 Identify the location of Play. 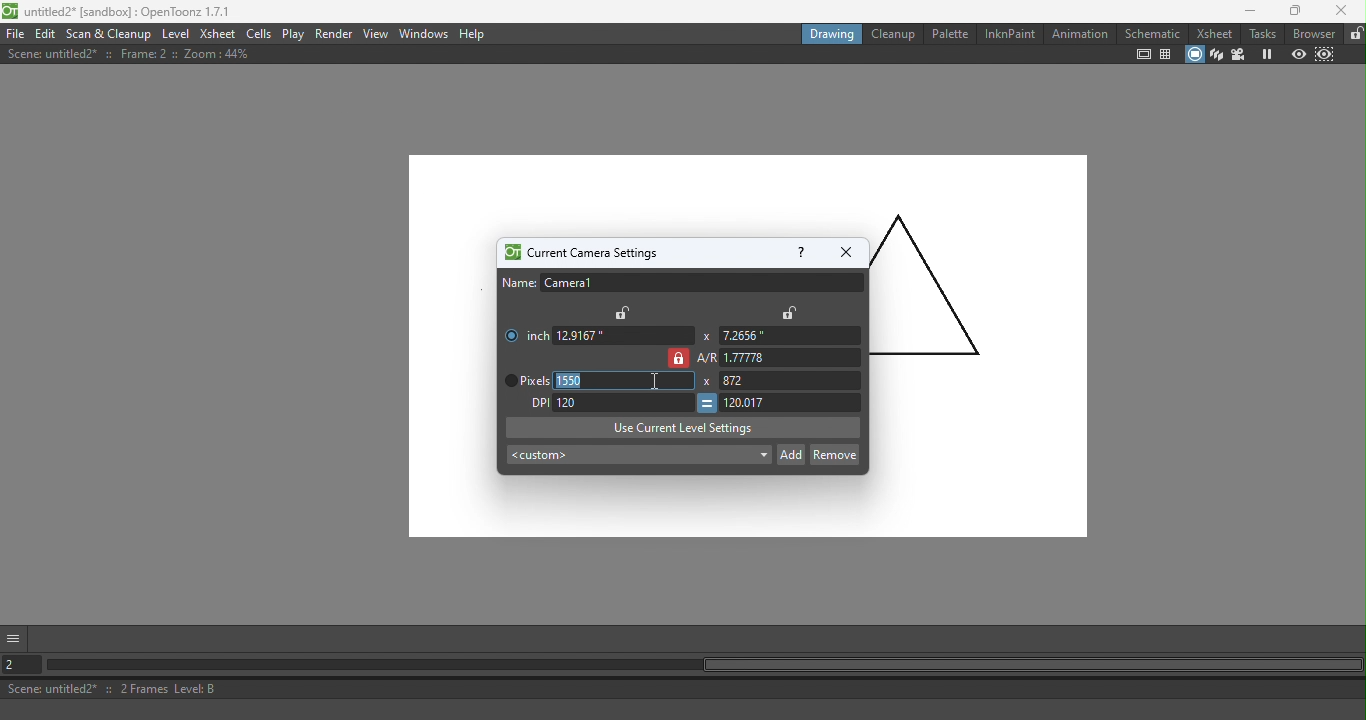
(293, 34).